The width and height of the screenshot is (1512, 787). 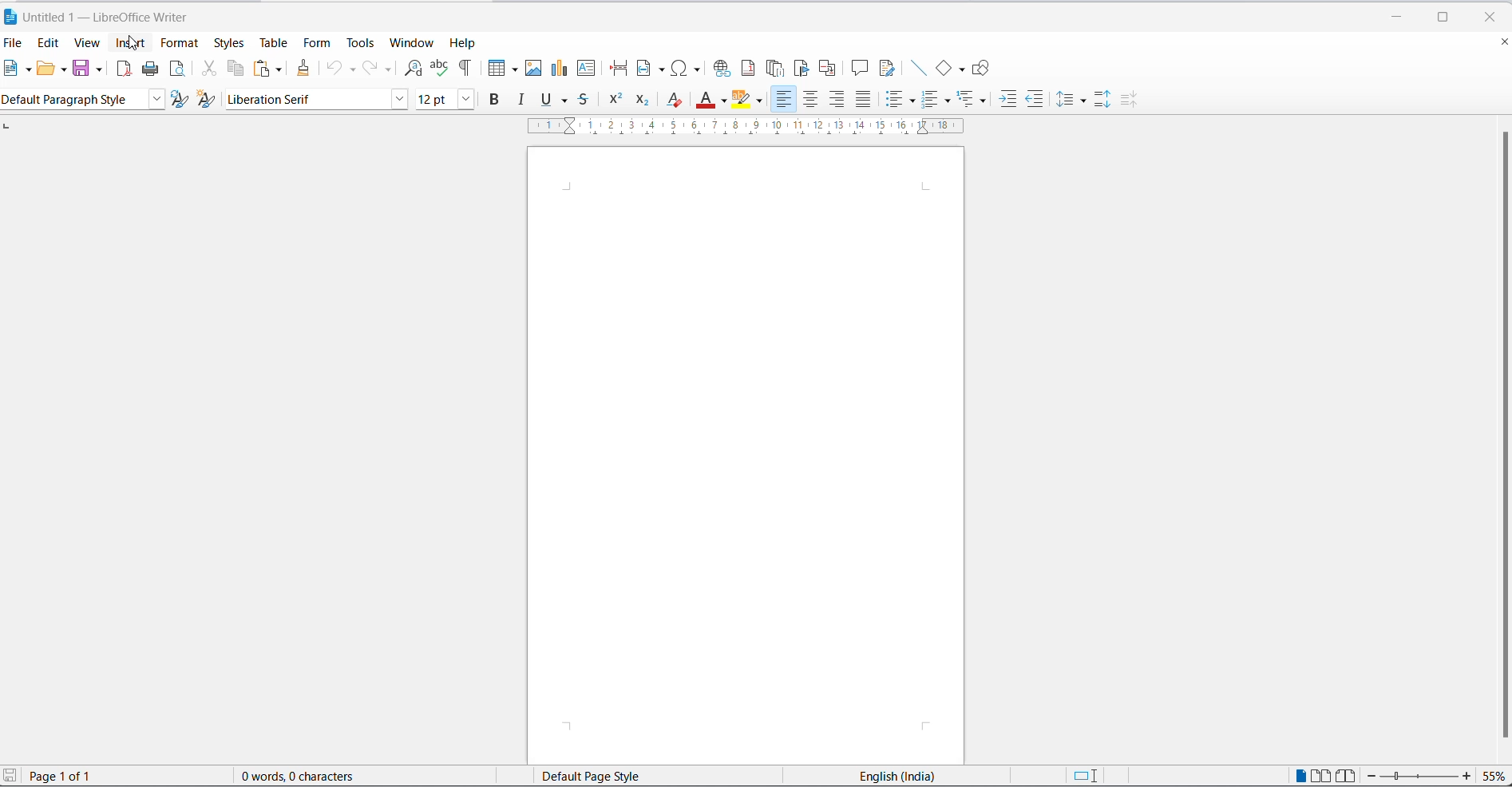 What do you see at coordinates (315, 776) in the screenshot?
I see `0 words, 0 characters` at bounding box center [315, 776].